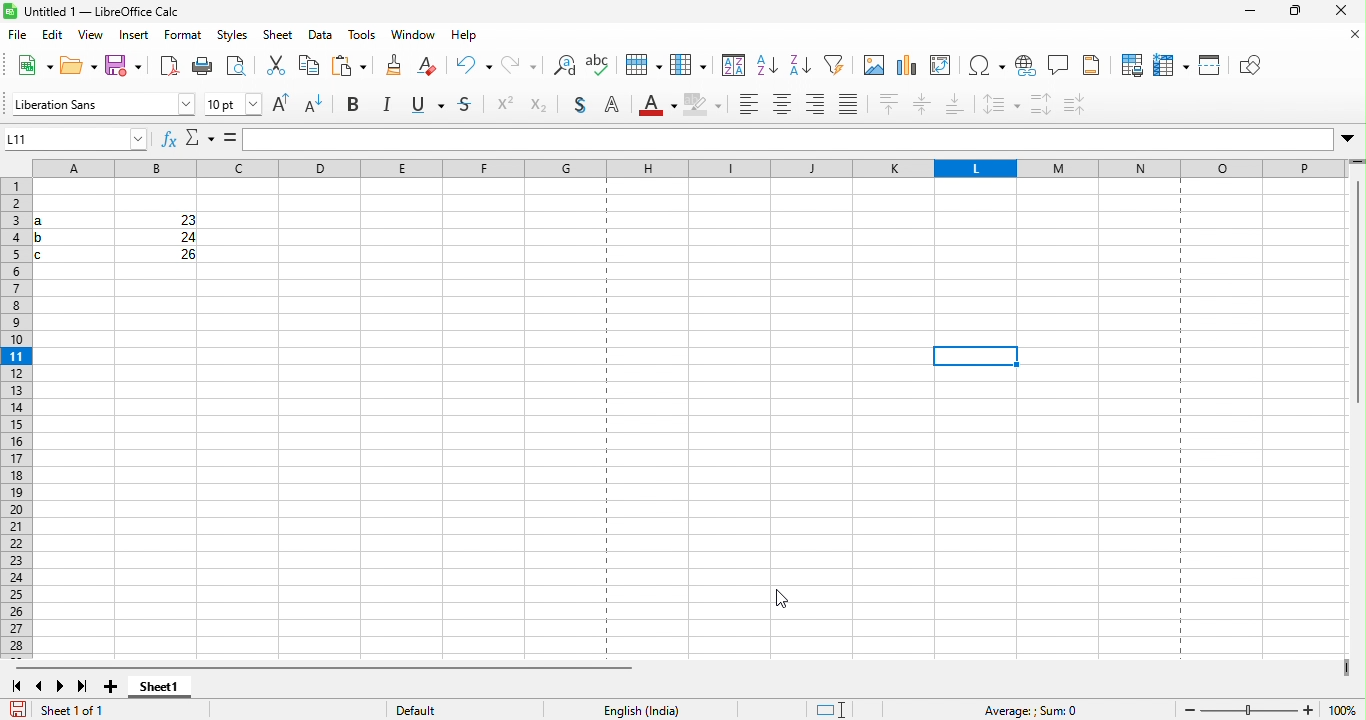 The height and width of the screenshot is (720, 1366). I want to click on align top, so click(890, 106).